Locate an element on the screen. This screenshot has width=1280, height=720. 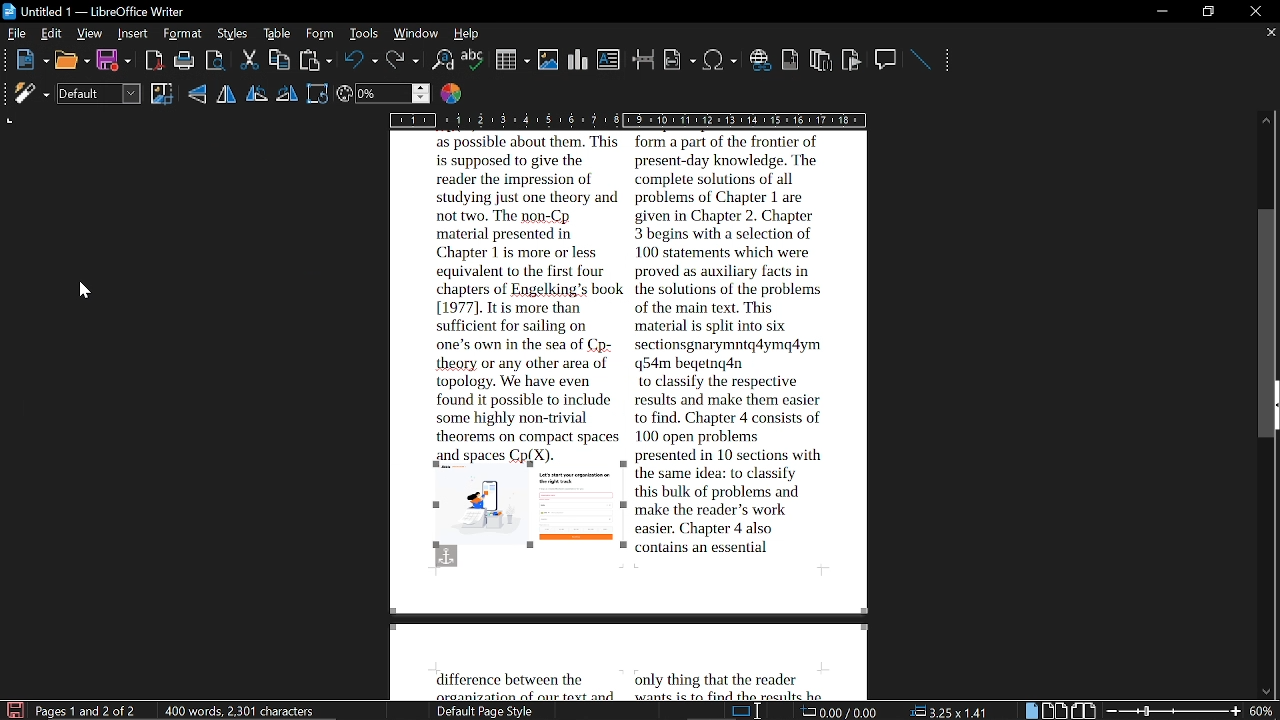
insert image is located at coordinates (546, 58).